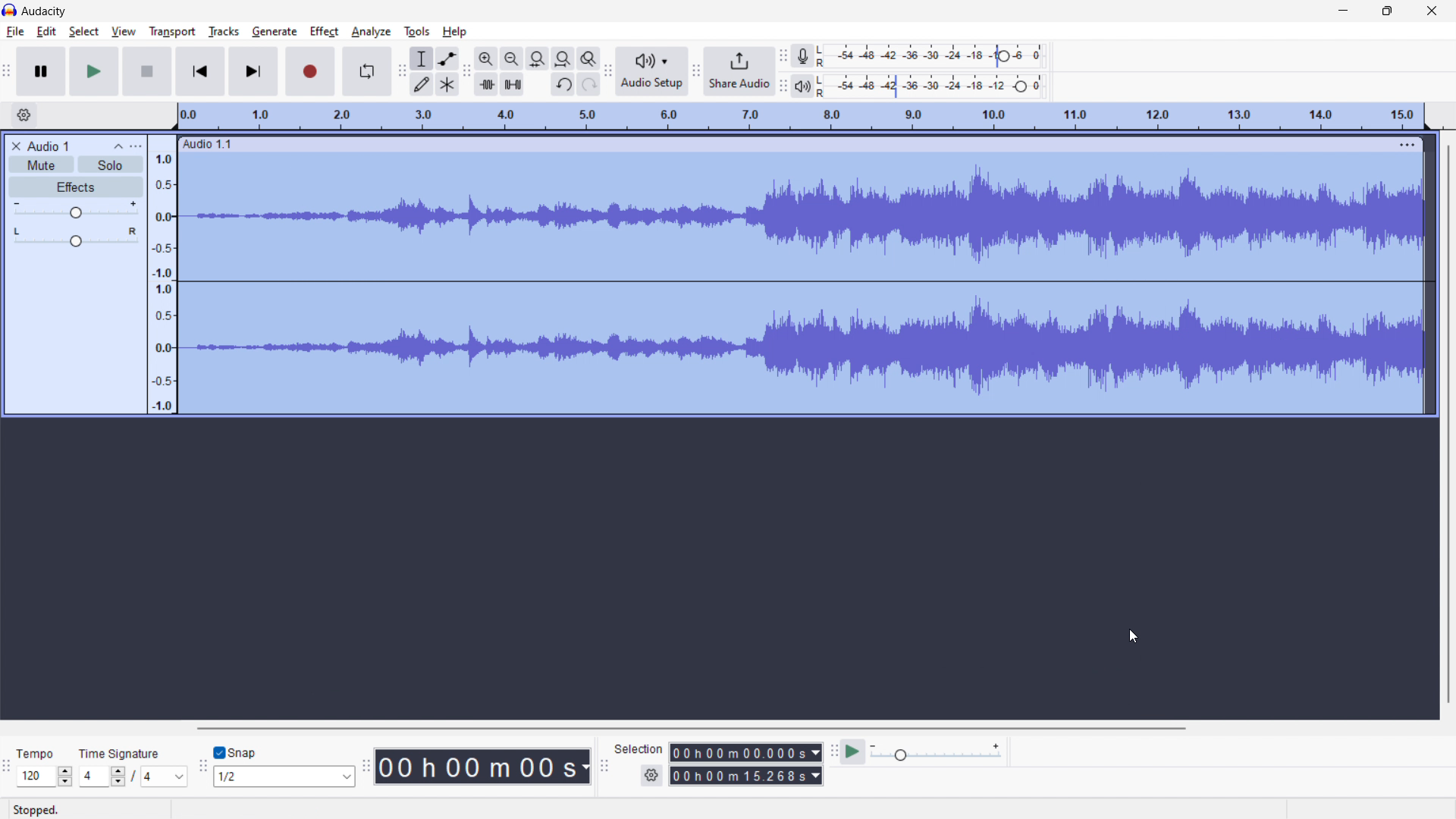 The image size is (1456, 819). Describe the element at coordinates (124, 31) in the screenshot. I see `view` at that location.